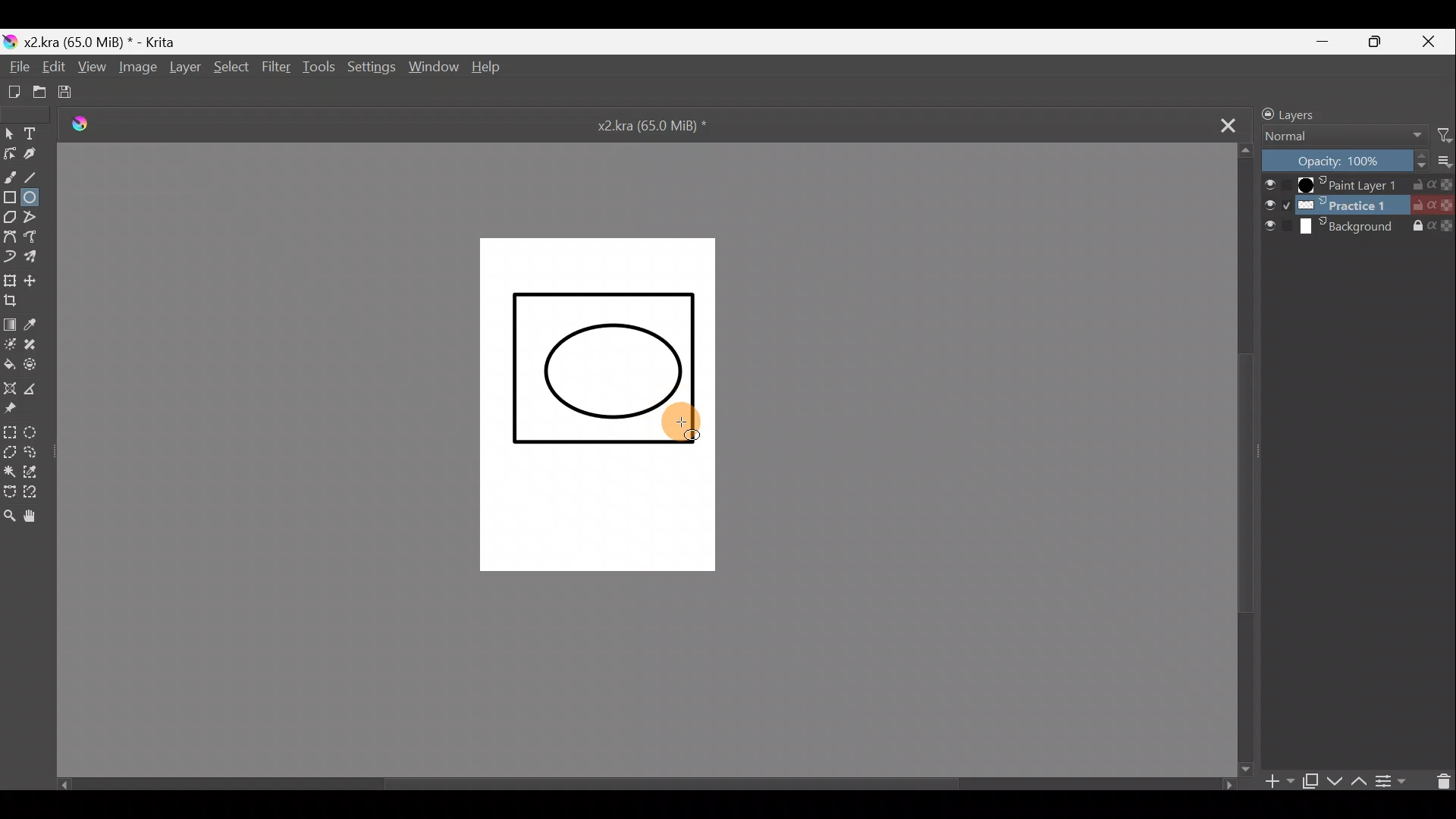  Describe the element at coordinates (1263, 113) in the screenshot. I see `lock/unlock docker` at that location.